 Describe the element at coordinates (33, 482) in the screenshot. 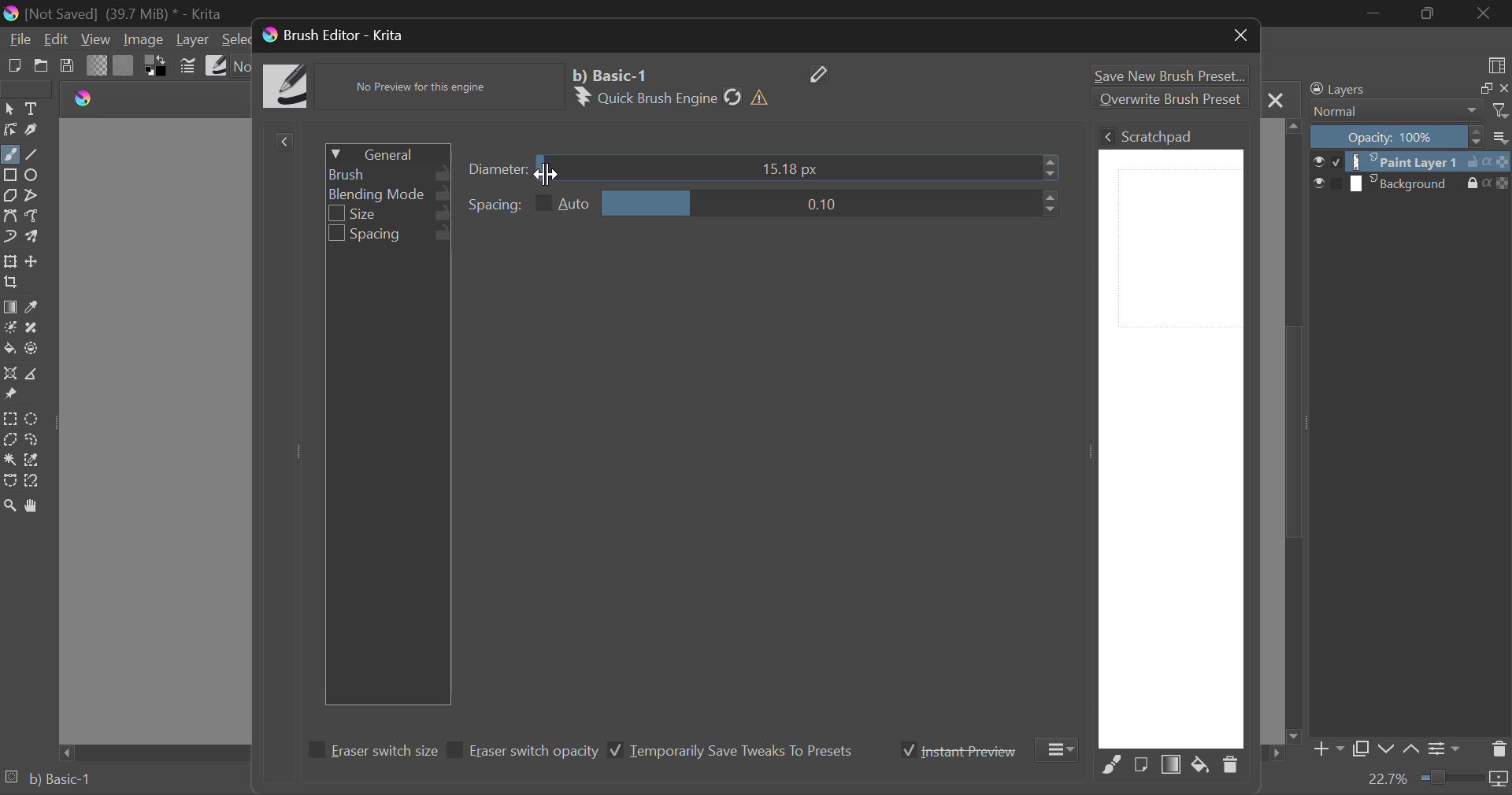

I see `Magnetic Selection` at that location.